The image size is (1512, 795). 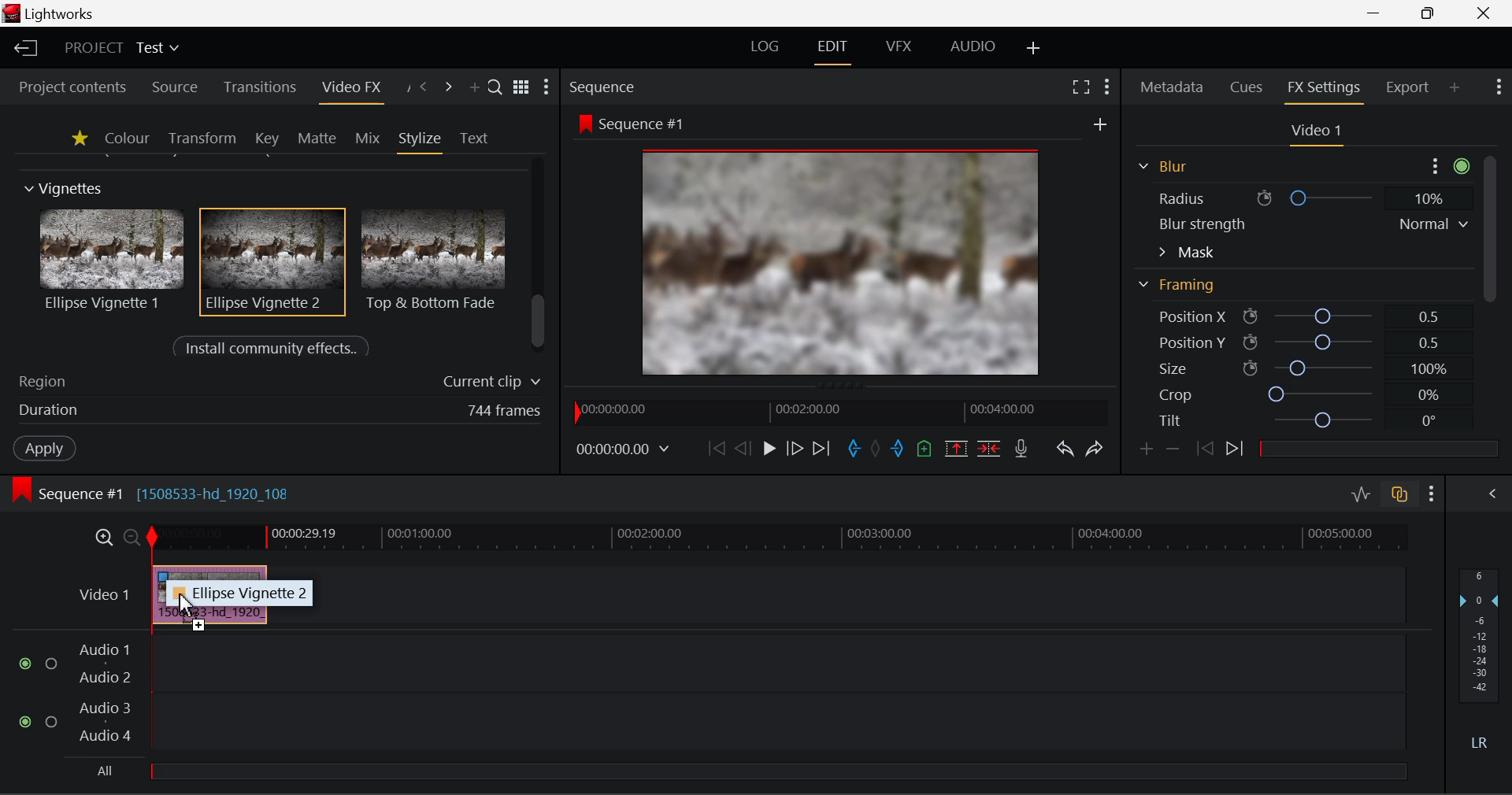 I want to click on FX Settings Panel Open, so click(x=1321, y=90).